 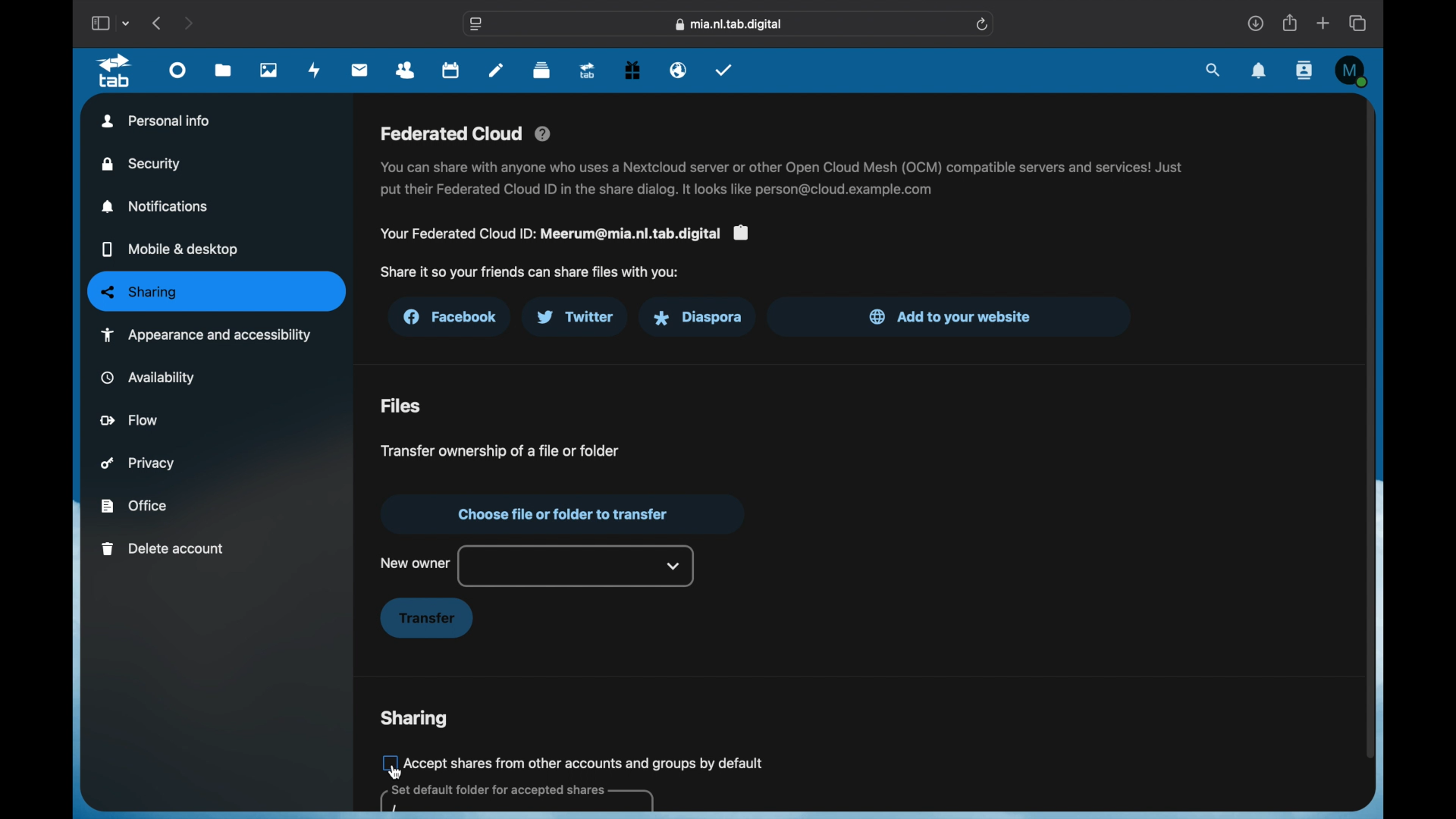 I want to click on web address, so click(x=731, y=24).